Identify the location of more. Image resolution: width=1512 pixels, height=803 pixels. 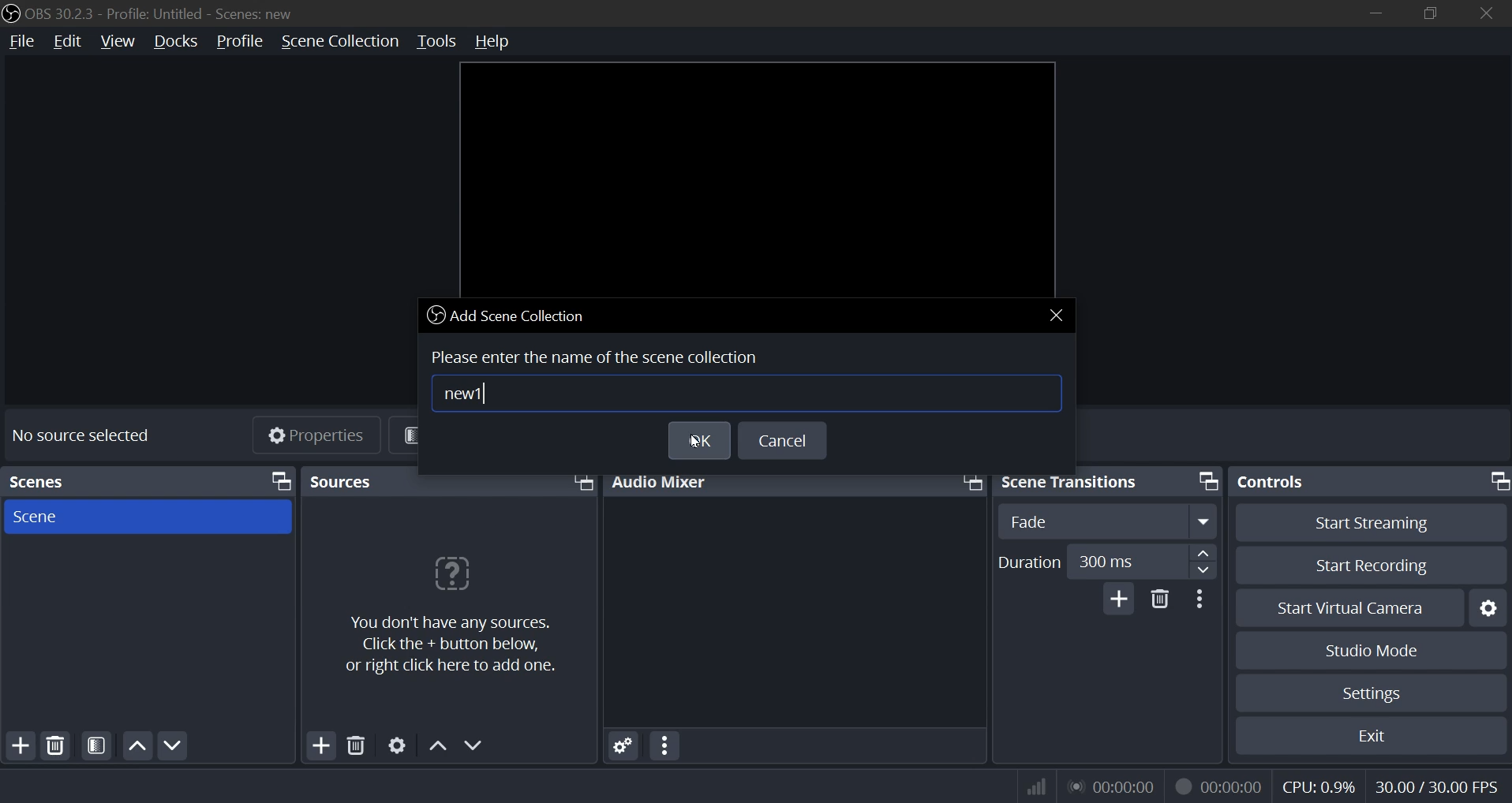
(1203, 599).